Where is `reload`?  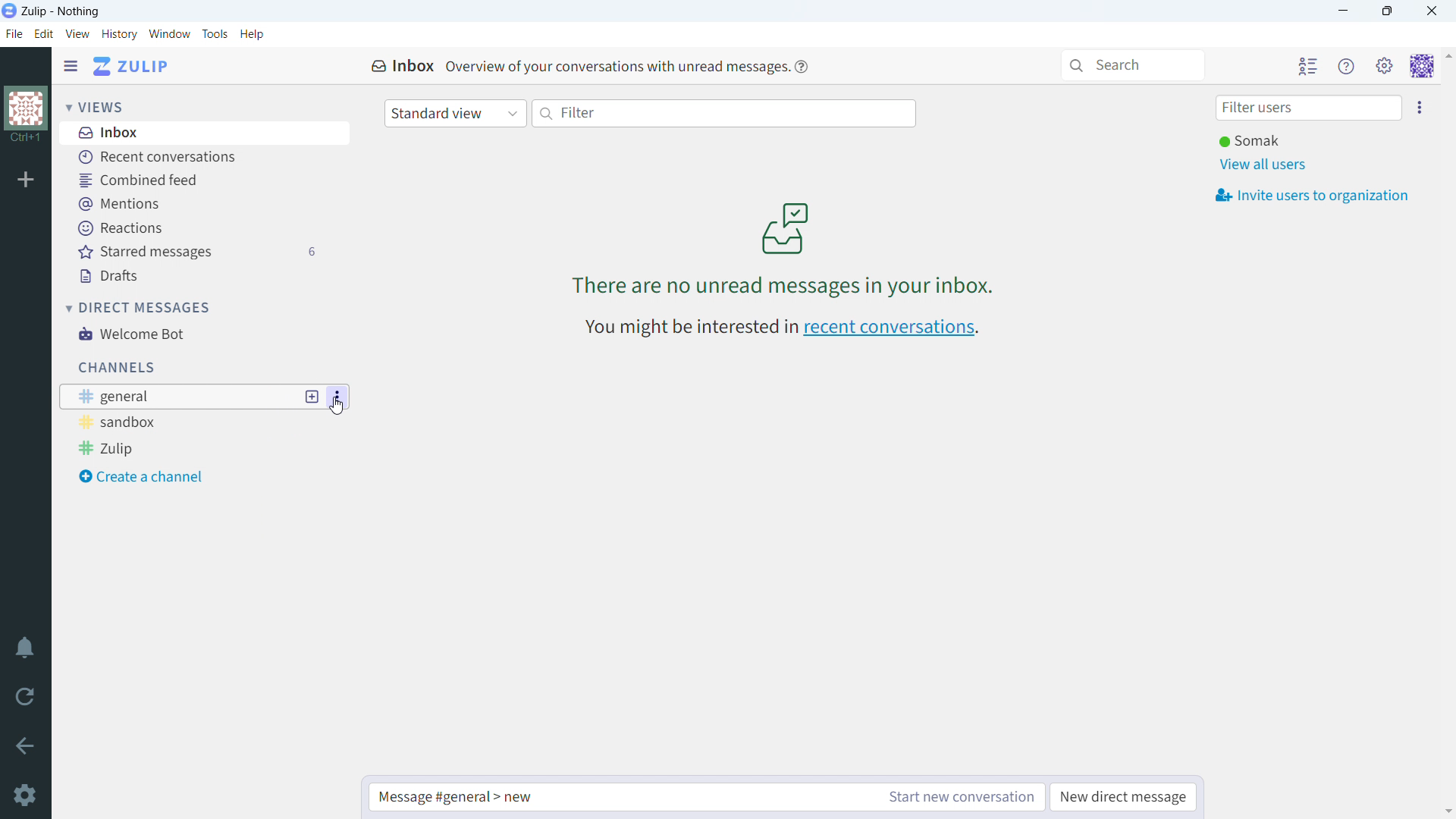 reload is located at coordinates (25, 695).